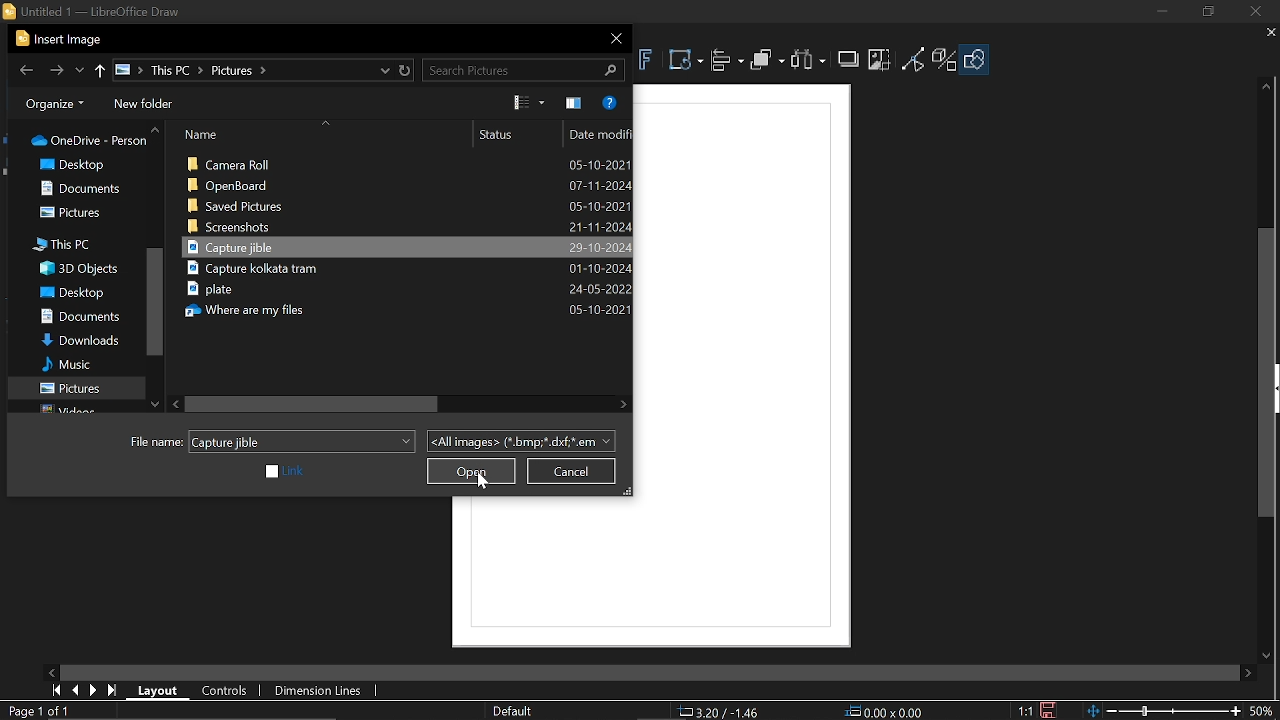 Image resolution: width=1280 pixels, height=720 pixels. I want to click on Organize, so click(54, 106).